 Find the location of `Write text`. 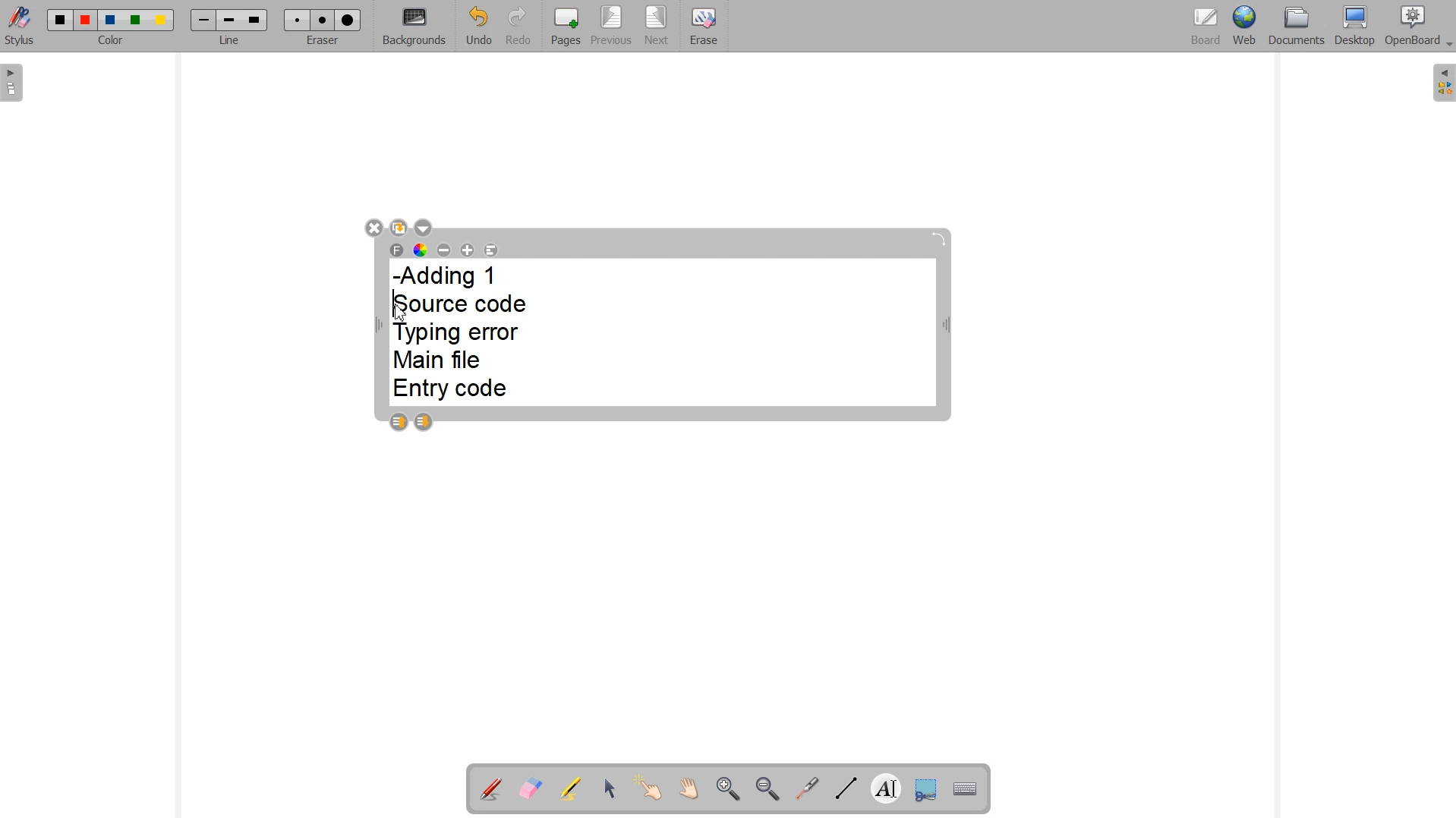

Write text is located at coordinates (886, 786).